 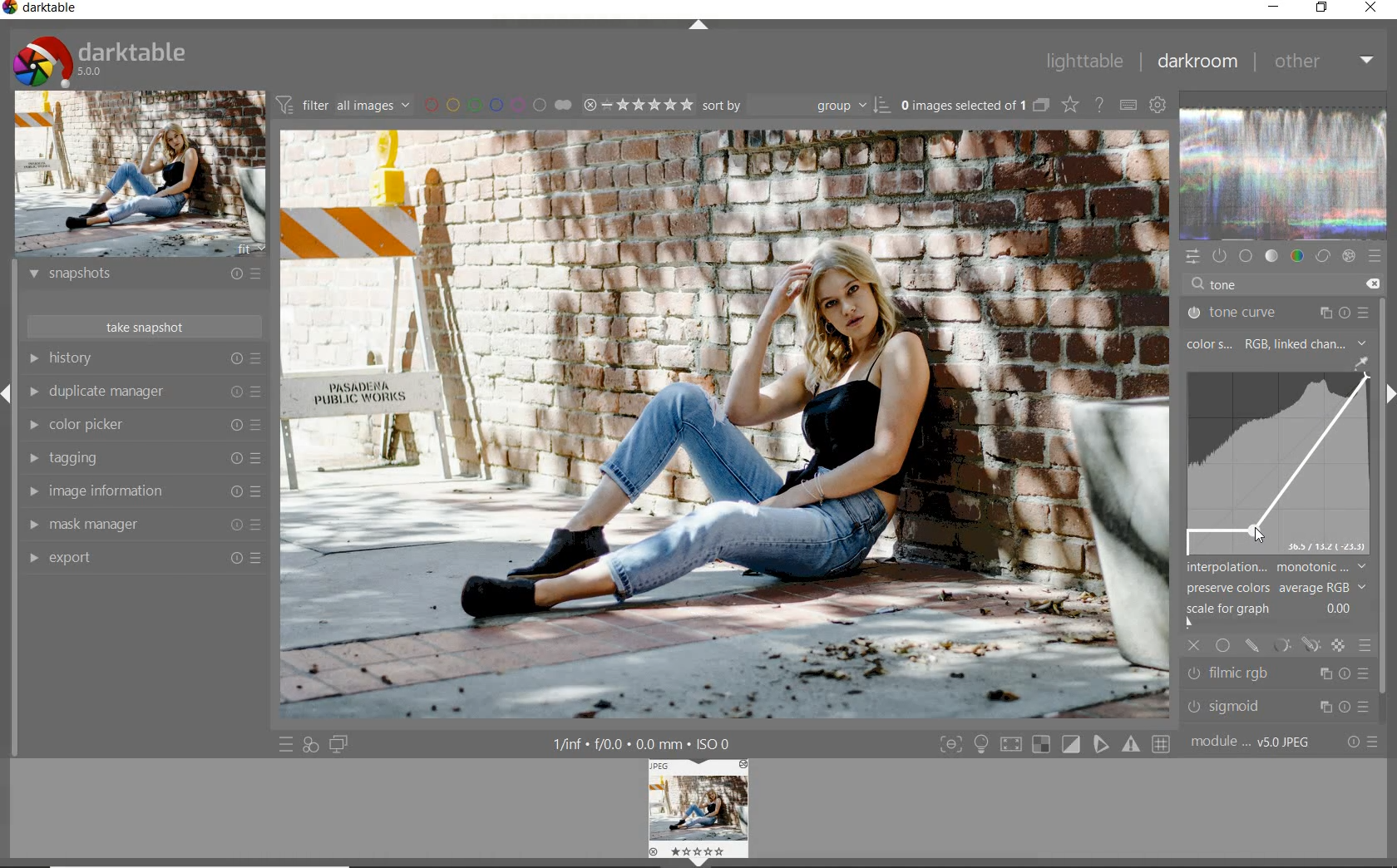 What do you see at coordinates (975, 105) in the screenshot?
I see `expand grouped images` at bounding box center [975, 105].